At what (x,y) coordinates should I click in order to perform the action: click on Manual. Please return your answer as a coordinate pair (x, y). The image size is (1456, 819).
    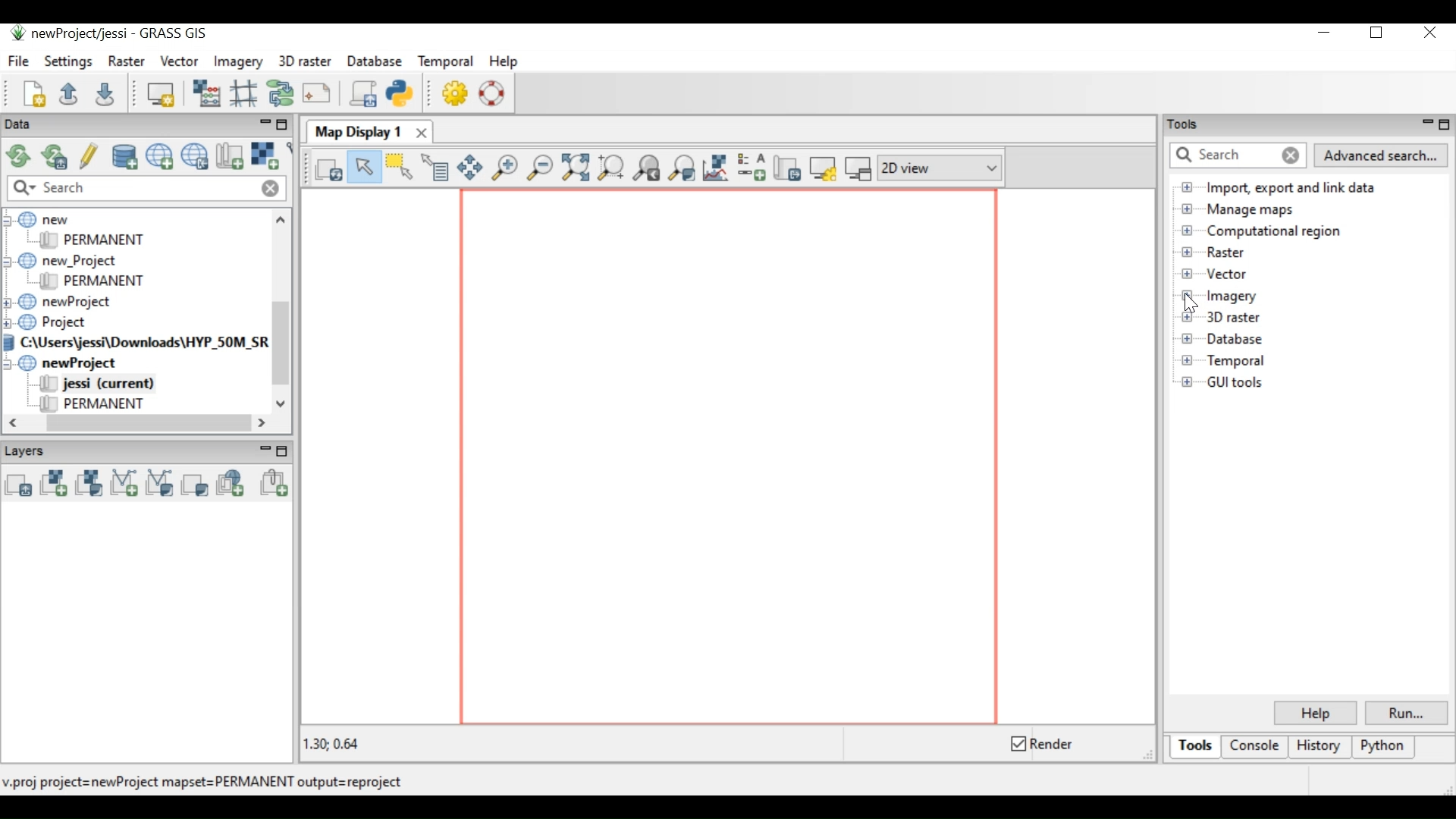
    Looking at the image, I should click on (493, 95).